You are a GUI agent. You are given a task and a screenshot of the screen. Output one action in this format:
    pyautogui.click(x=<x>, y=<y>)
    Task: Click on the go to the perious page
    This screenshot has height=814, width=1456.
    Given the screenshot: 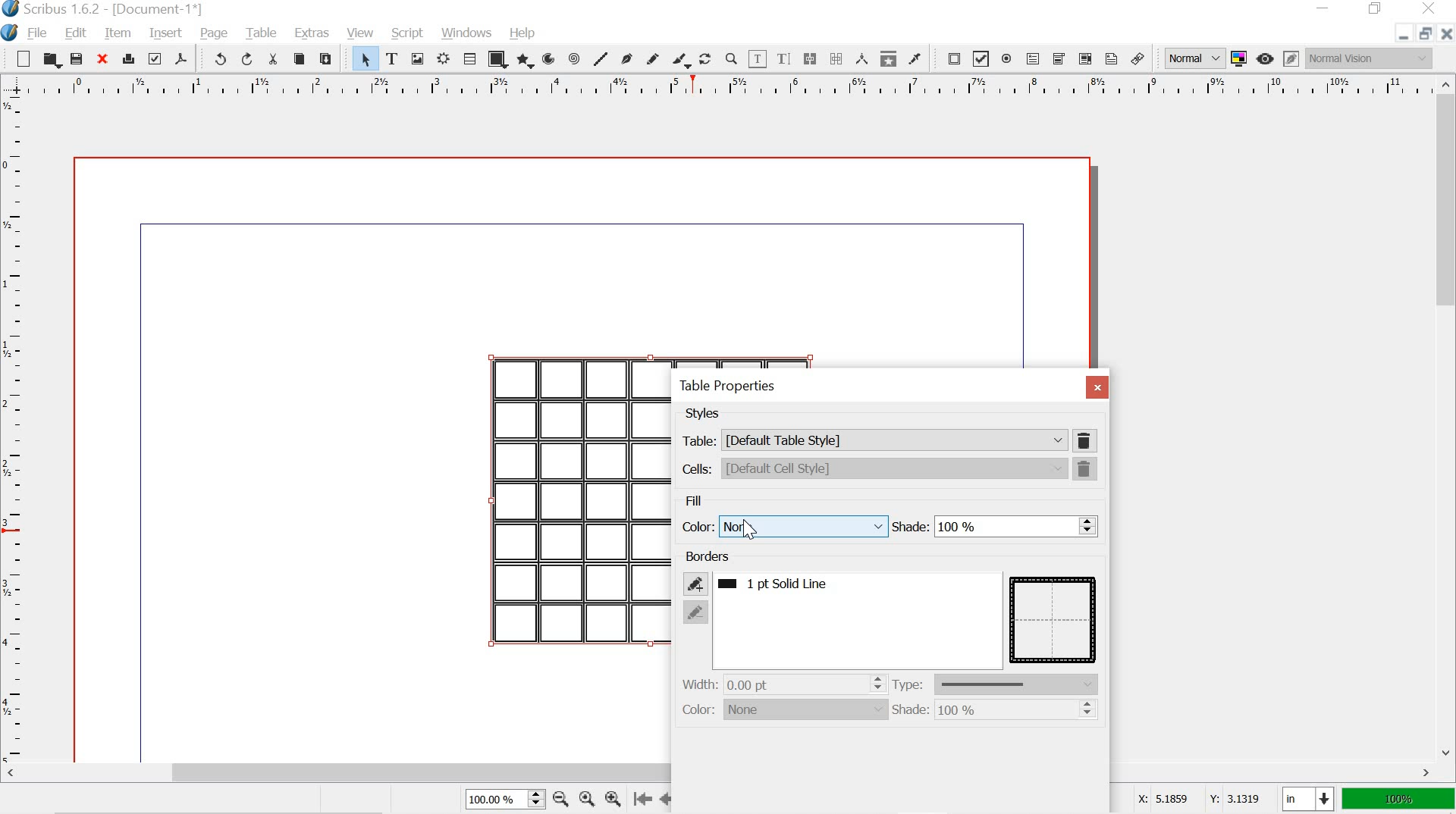 What is the action you would take?
    pyautogui.click(x=669, y=798)
    